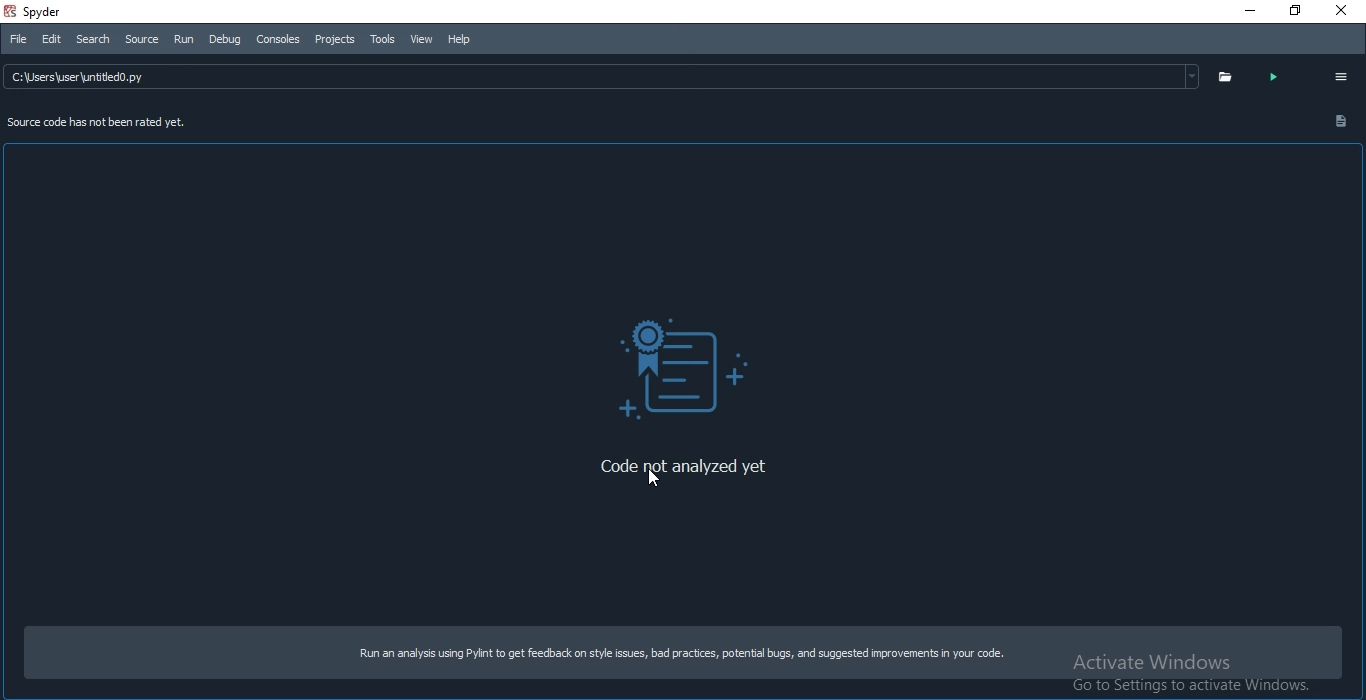  Describe the element at coordinates (678, 655) in the screenshot. I see `Run an analysis using Pyint to get feedback on style issues, bad practices, potential bugs, and suggested improvements in your code.` at that location.